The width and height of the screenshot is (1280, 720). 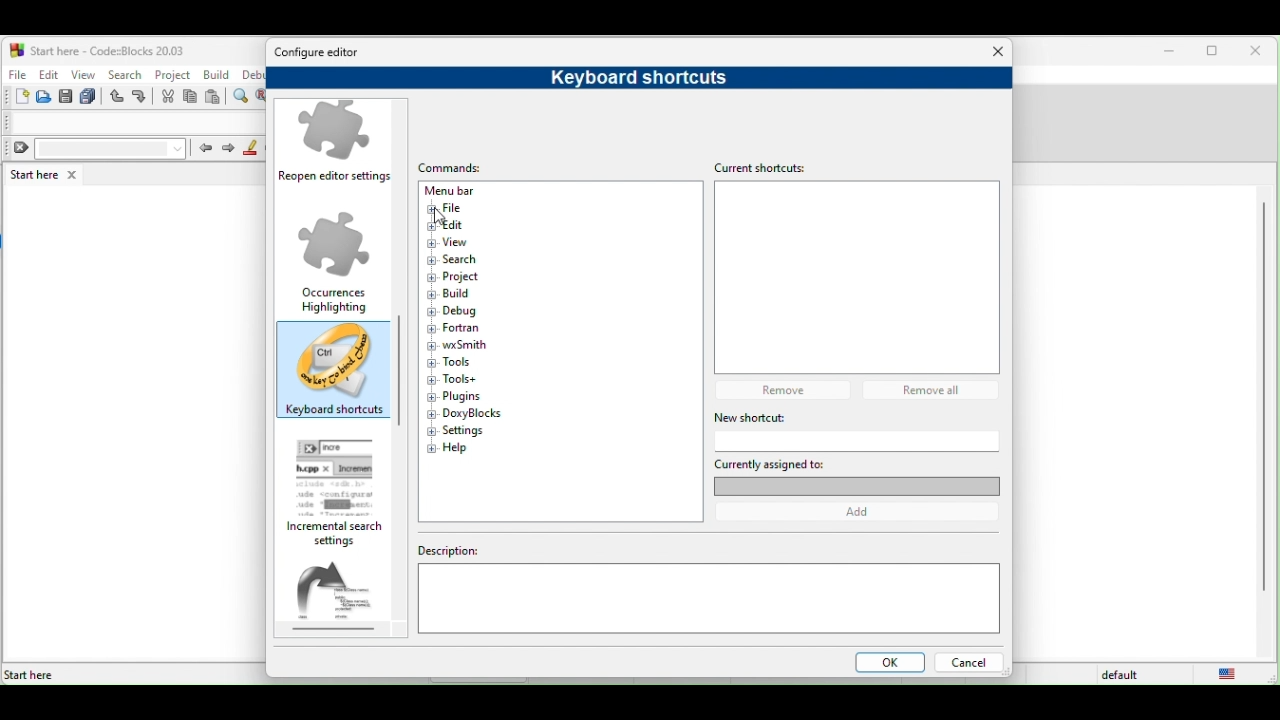 I want to click on wxsmith, so click(x=458, y=344).